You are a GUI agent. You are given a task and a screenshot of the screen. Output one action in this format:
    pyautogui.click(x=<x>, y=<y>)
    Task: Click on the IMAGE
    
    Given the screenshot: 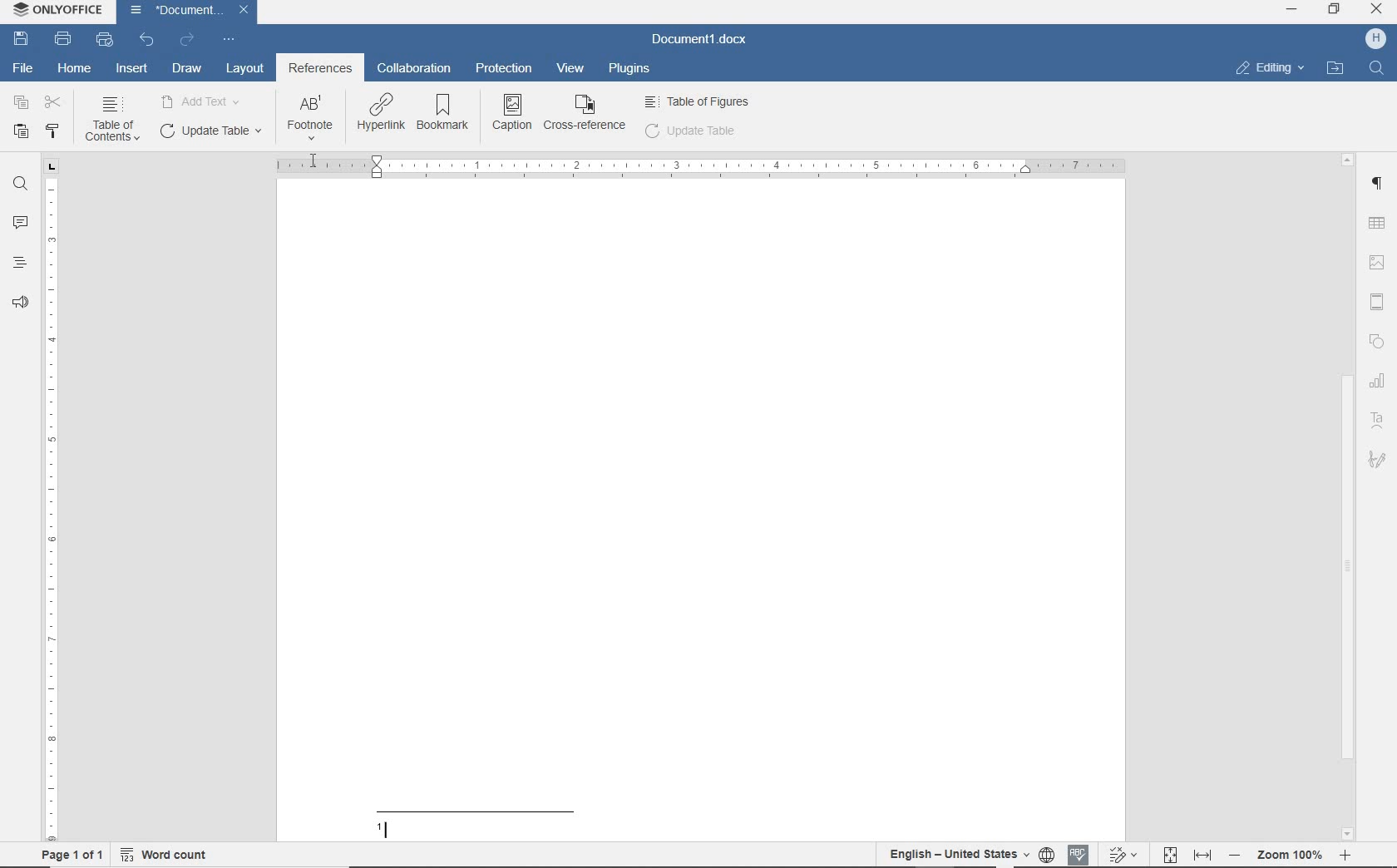 What is the action you would take?
    pyautogui.click(x=1380, y=262)
    